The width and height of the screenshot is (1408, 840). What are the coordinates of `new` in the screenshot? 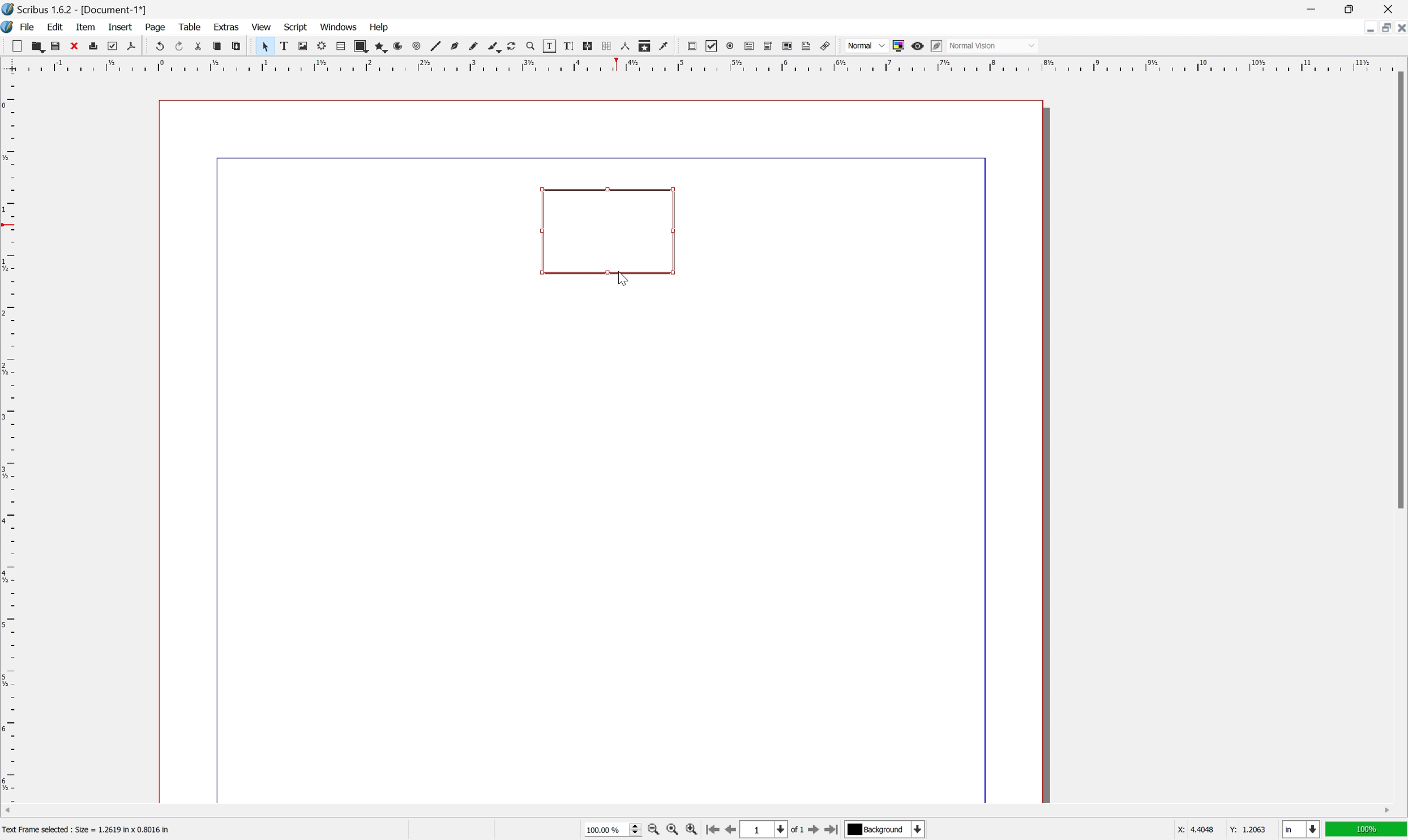 It's located at (17, 46).